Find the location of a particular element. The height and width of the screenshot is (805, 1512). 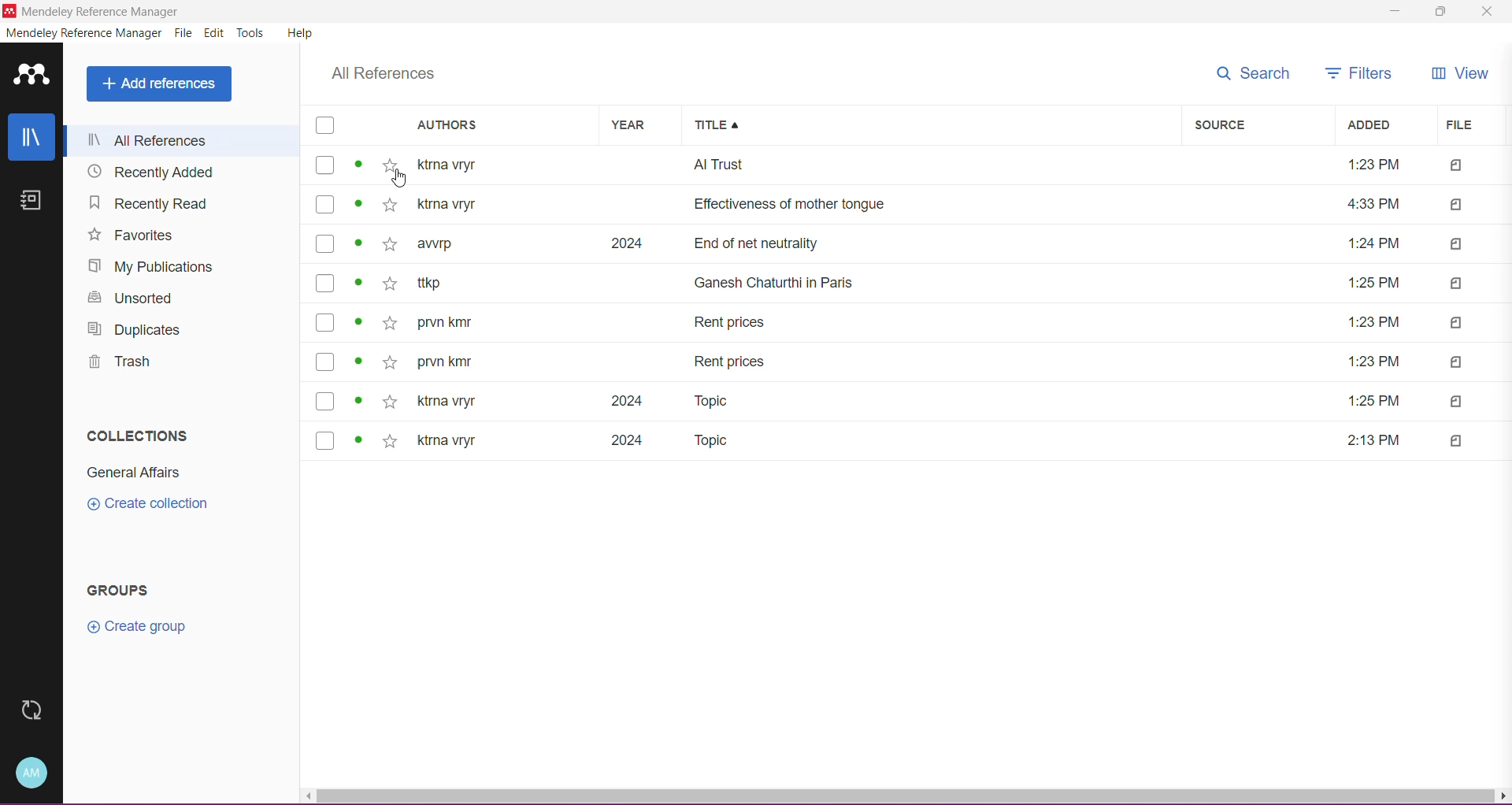

My Publications is located at coordinates (144, 269).